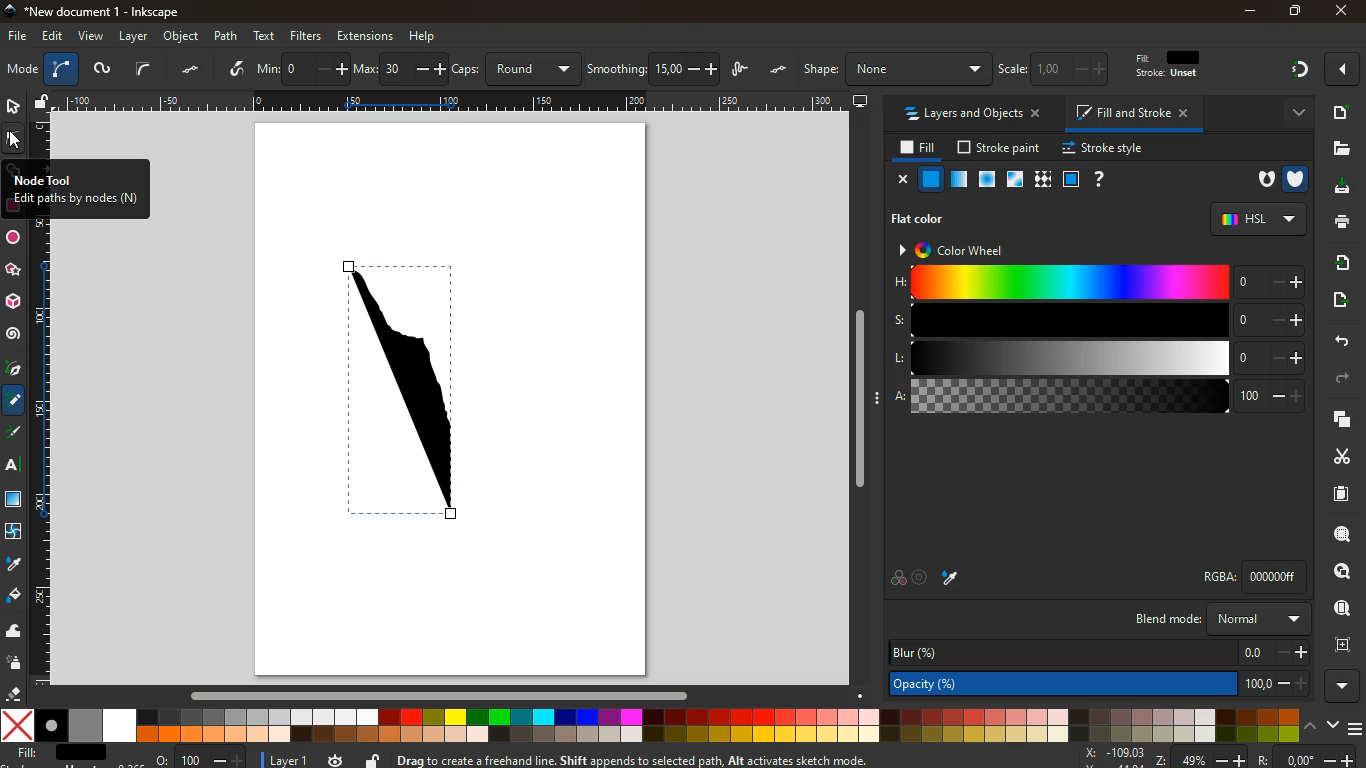 The width and height of the screenshot is (1366, 768). I want to click on back, so click(1336, 340).